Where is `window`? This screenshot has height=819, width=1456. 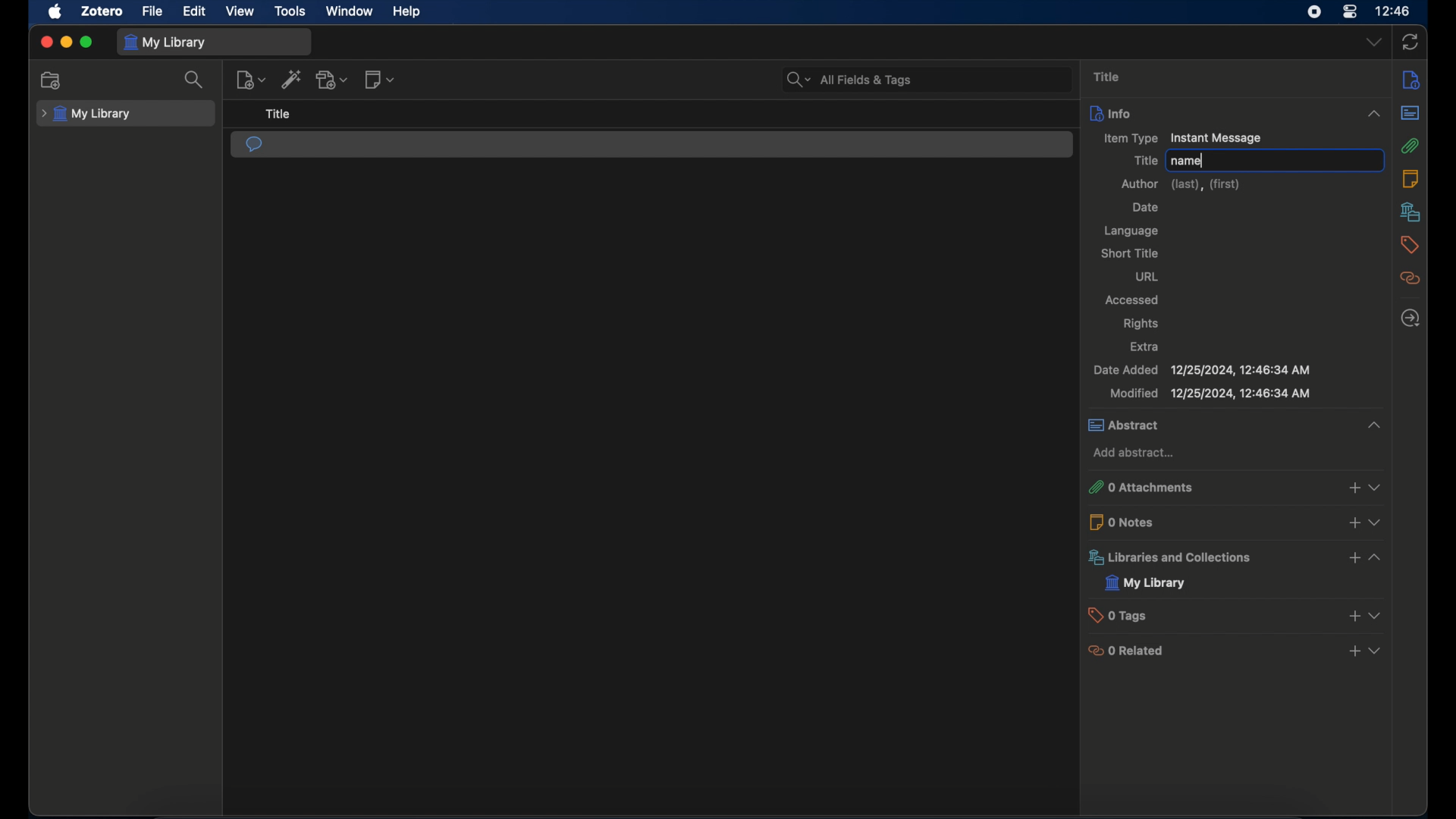 window is located at coordinates (349, 11).